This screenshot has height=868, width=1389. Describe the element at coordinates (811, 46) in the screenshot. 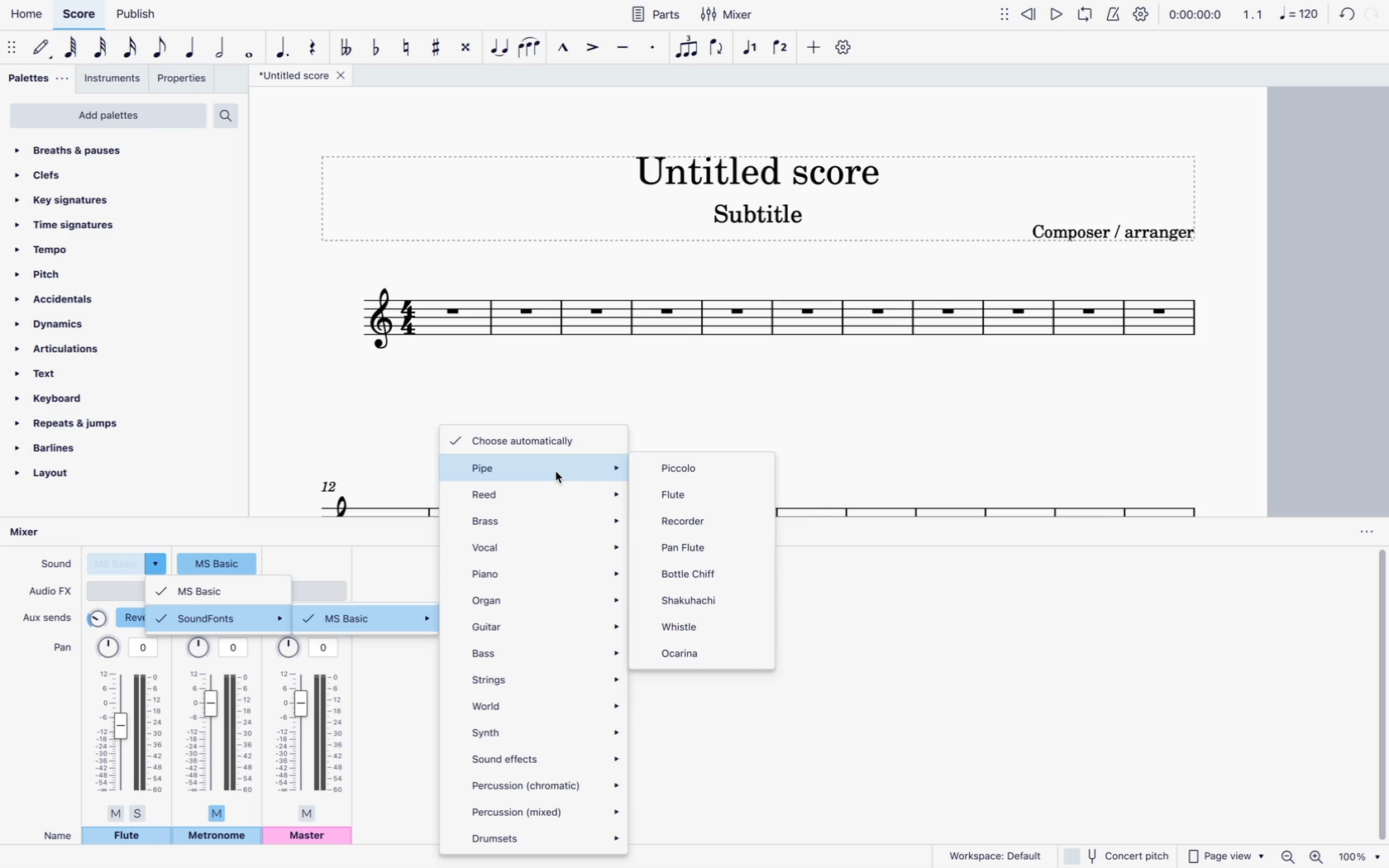

I see `more` at that location.